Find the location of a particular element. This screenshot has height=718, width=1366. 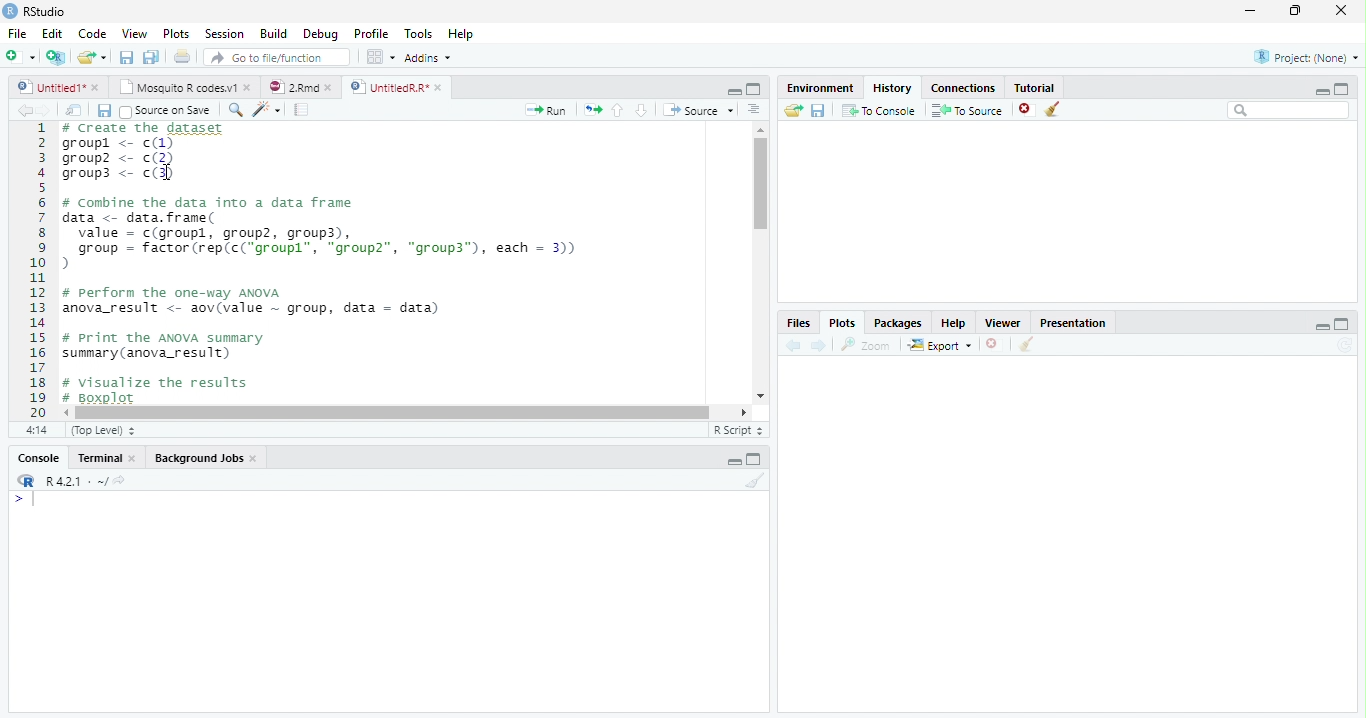

Presentation is located at coordinates (1081, 321).